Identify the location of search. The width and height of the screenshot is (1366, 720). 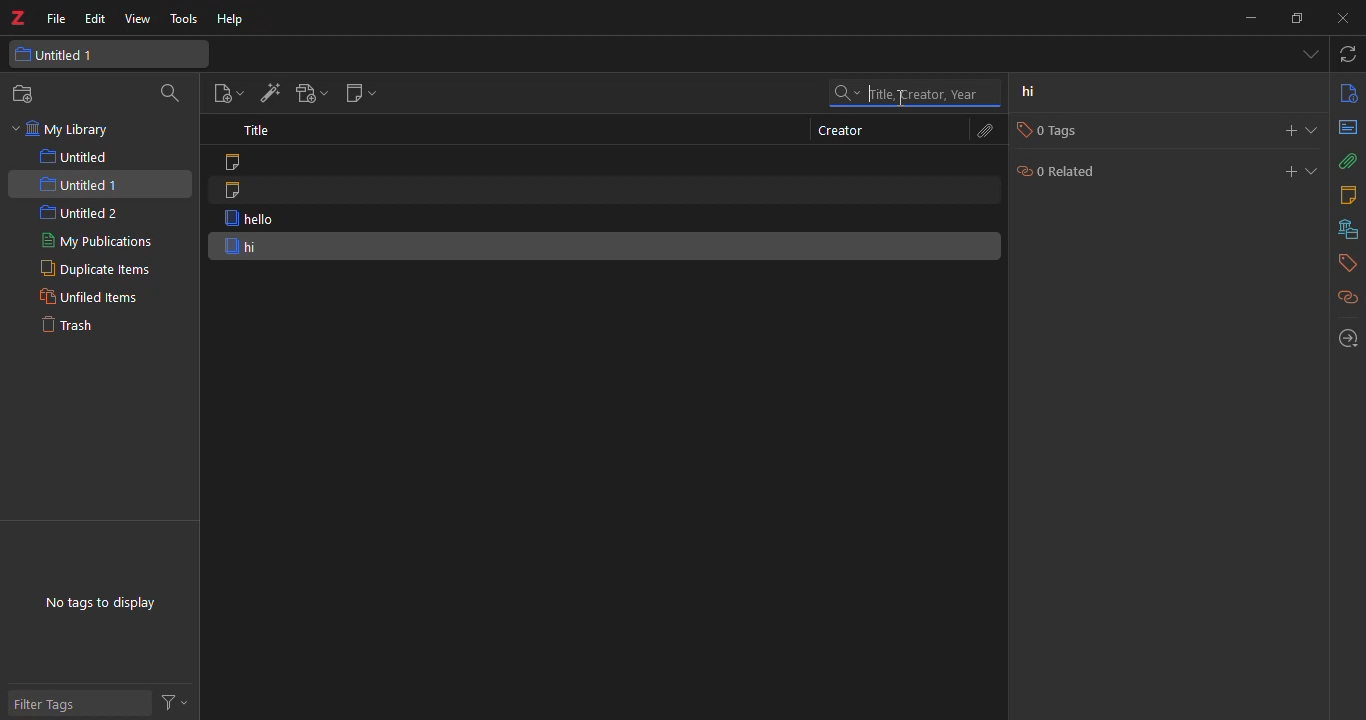
(166, 95).